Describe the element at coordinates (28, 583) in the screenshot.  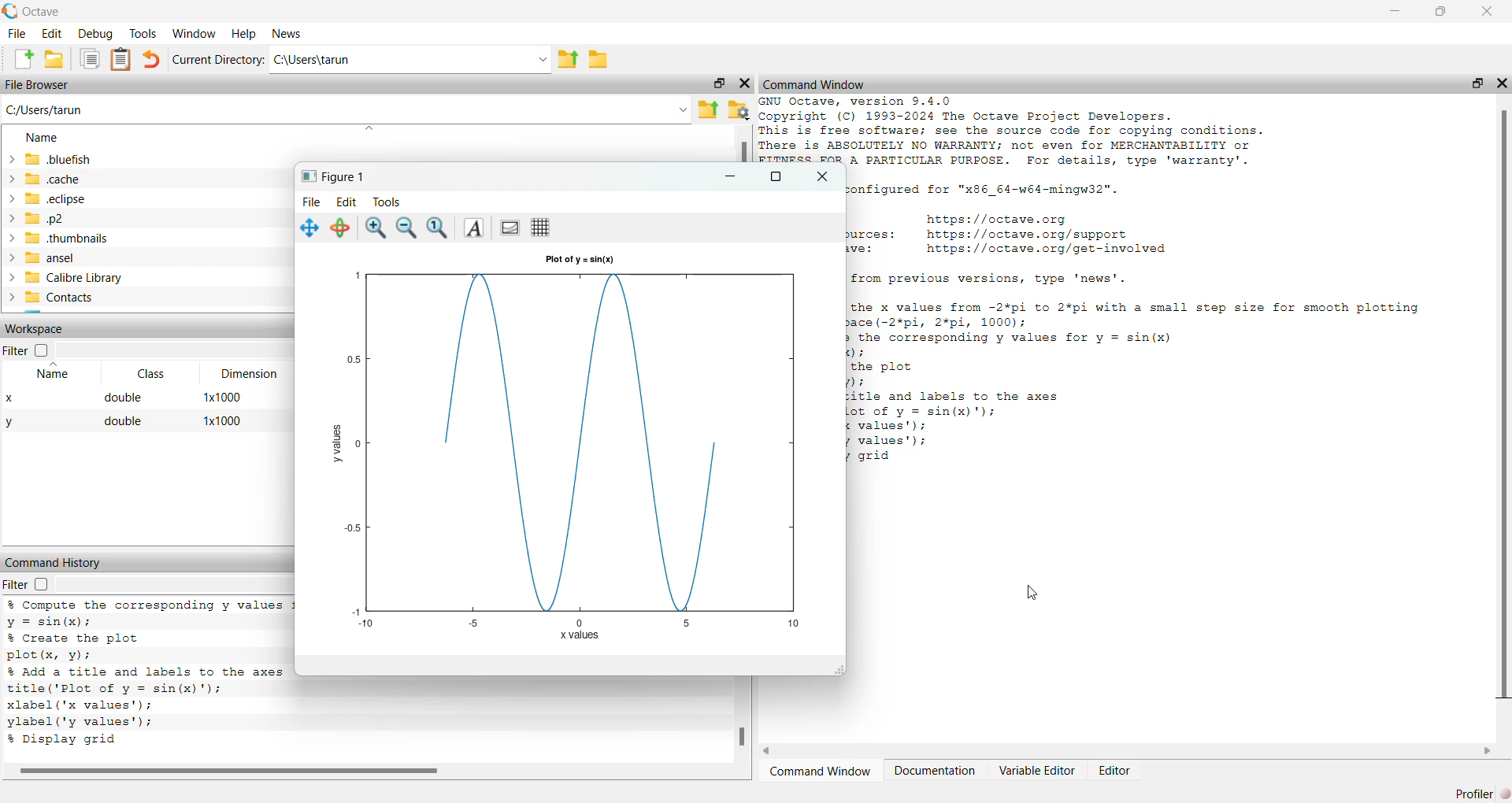
I see `Filter checkbox` at that location.